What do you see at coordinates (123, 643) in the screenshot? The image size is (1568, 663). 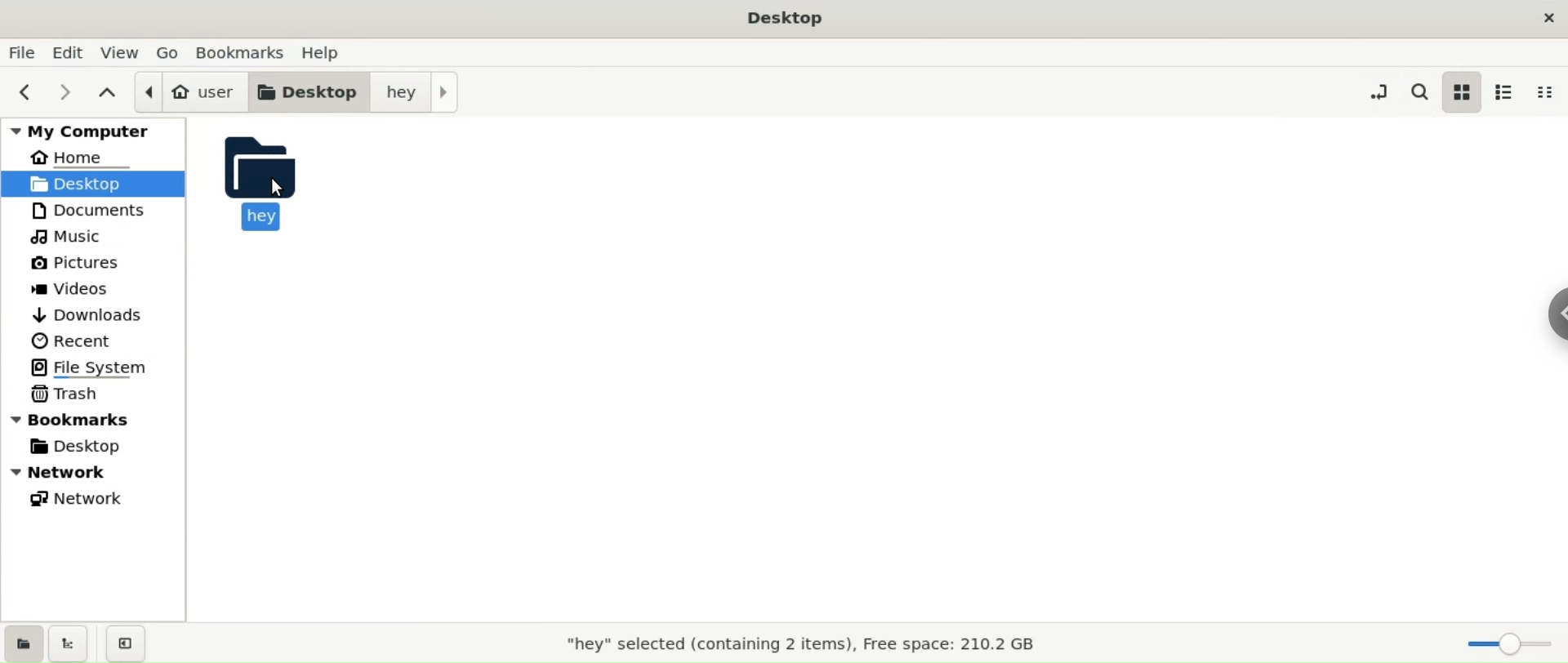 I see `close sidebars` at bounding box center [123, 643].